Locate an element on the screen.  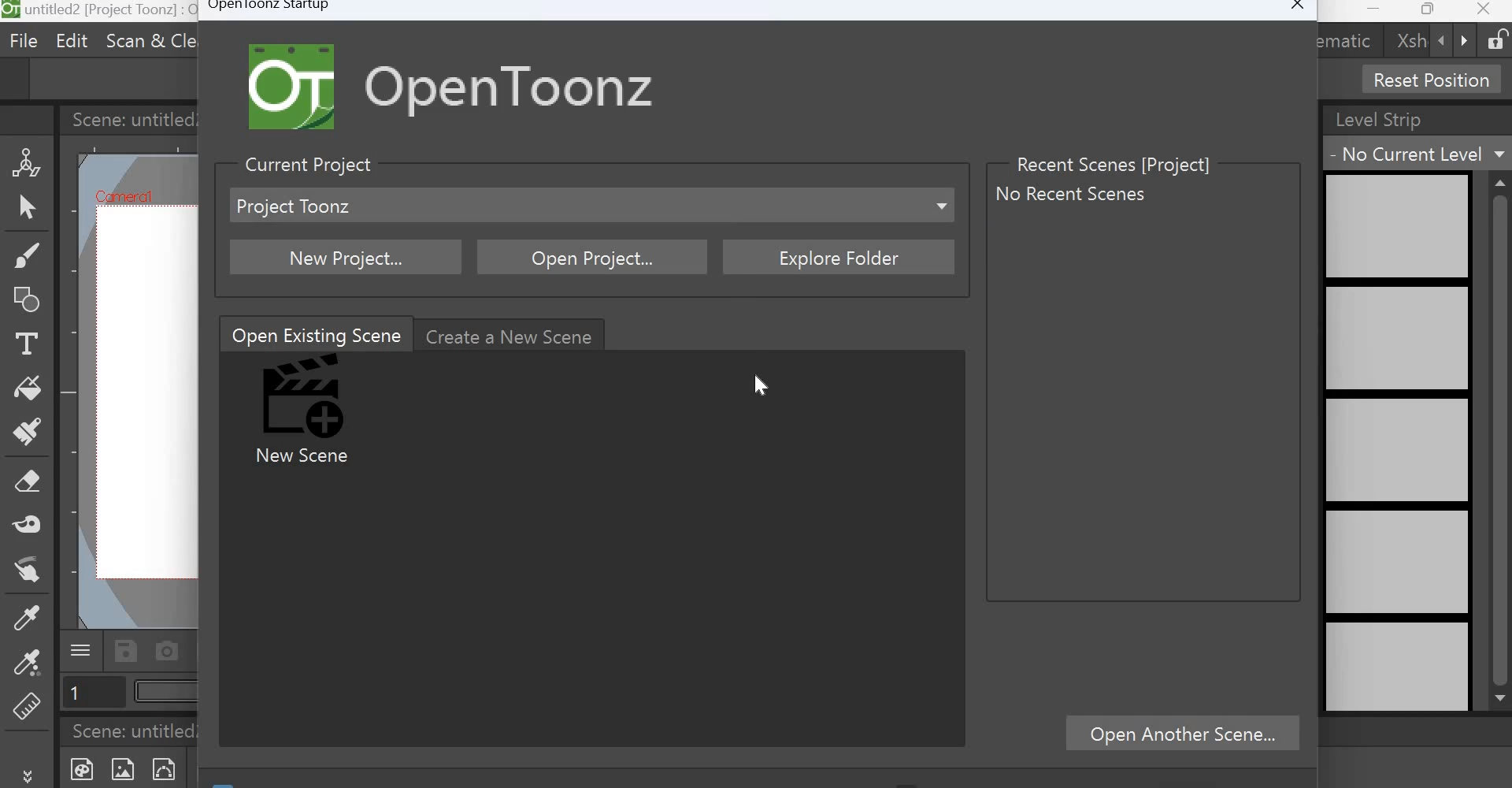
Explore folder is located at coordinates (836, 255).